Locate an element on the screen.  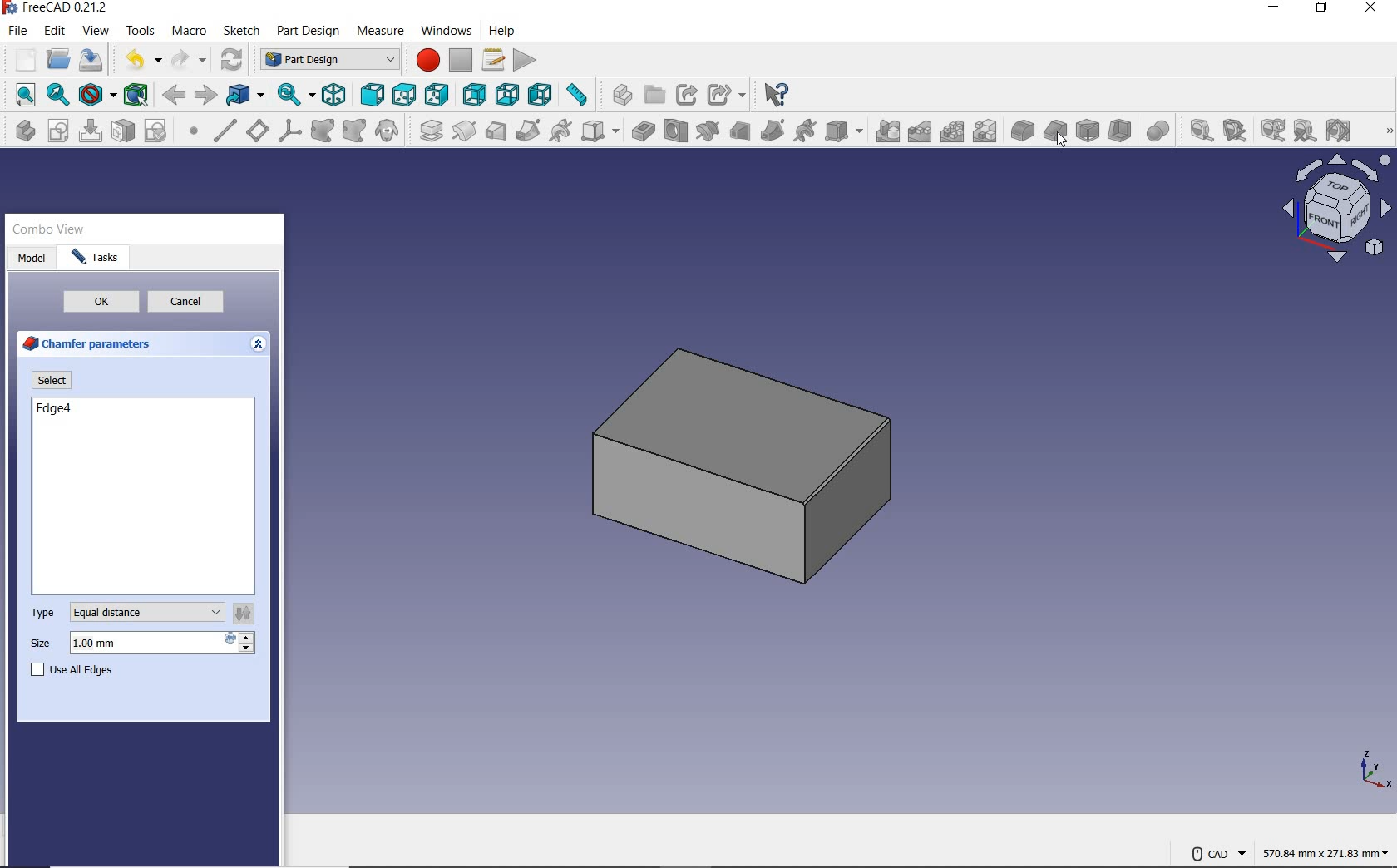
model is located at coordinates (32, 257).